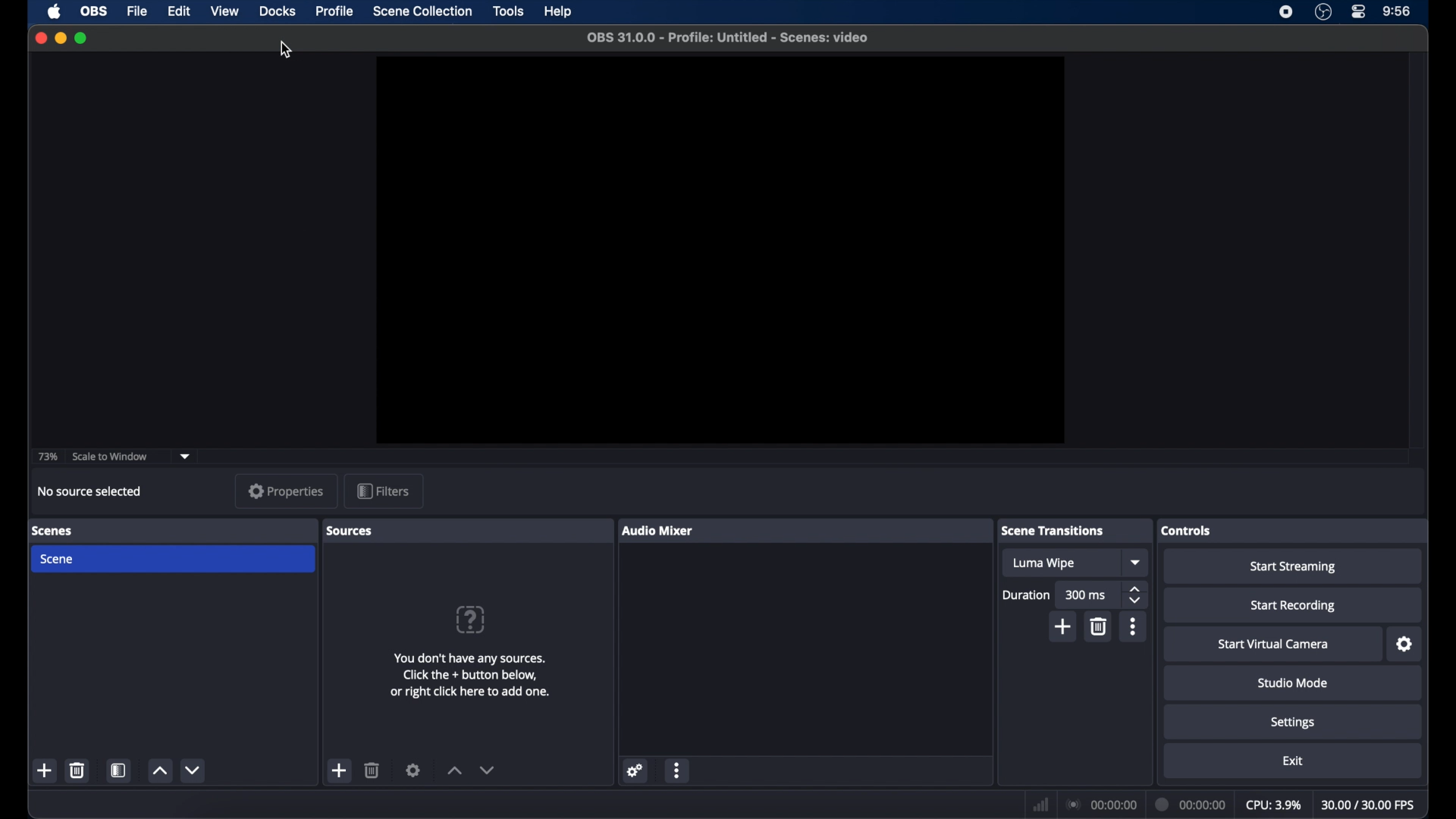 This screenshot has height=819, width=1456. Describe the element at coordinates (454, 770) in the screenshot. I see `increment` at that location.